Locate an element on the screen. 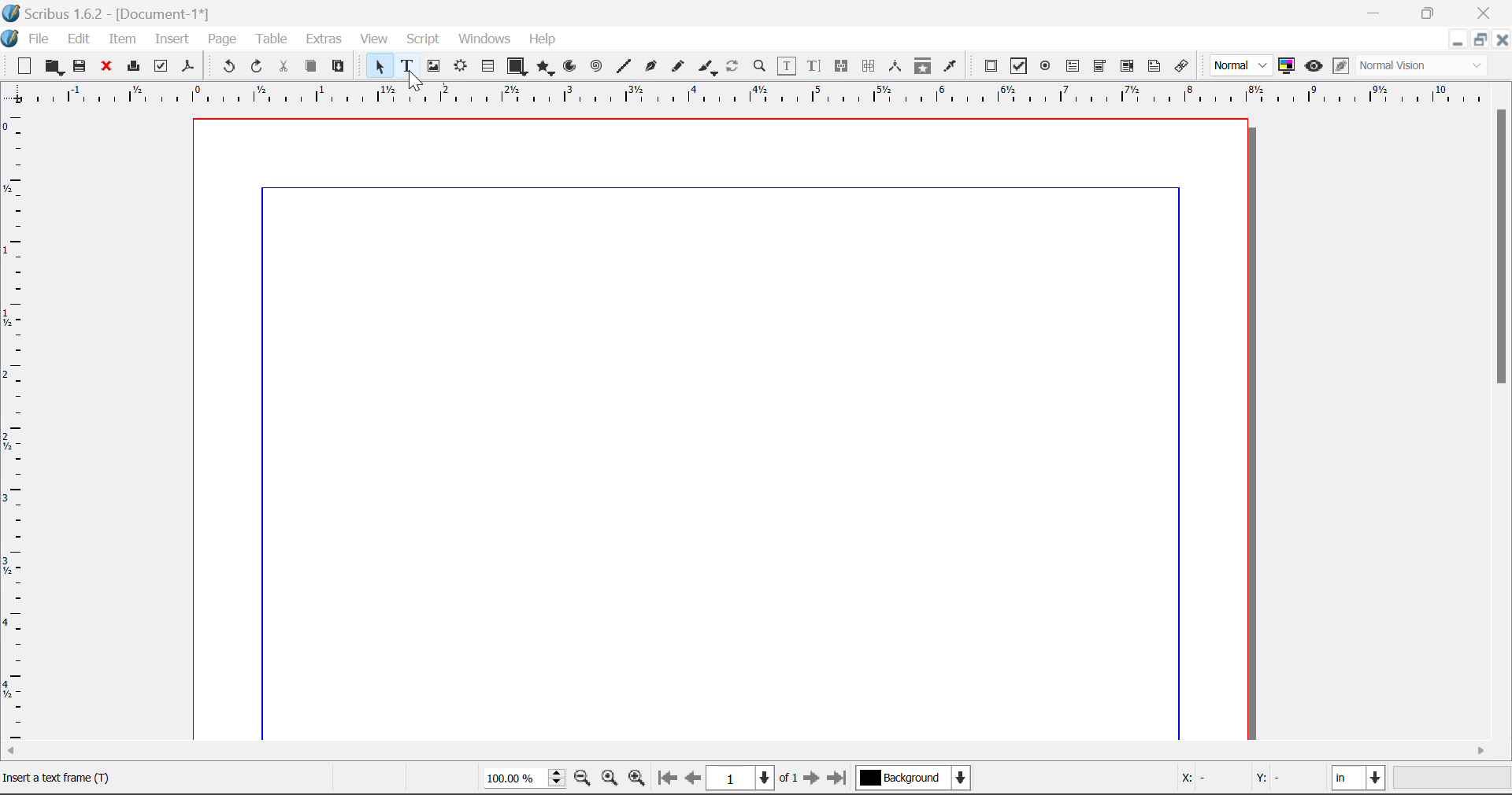 Image resolution: width=1512 pixels, height=795 pixels. Minimize is located at coordinates (1480, 39).